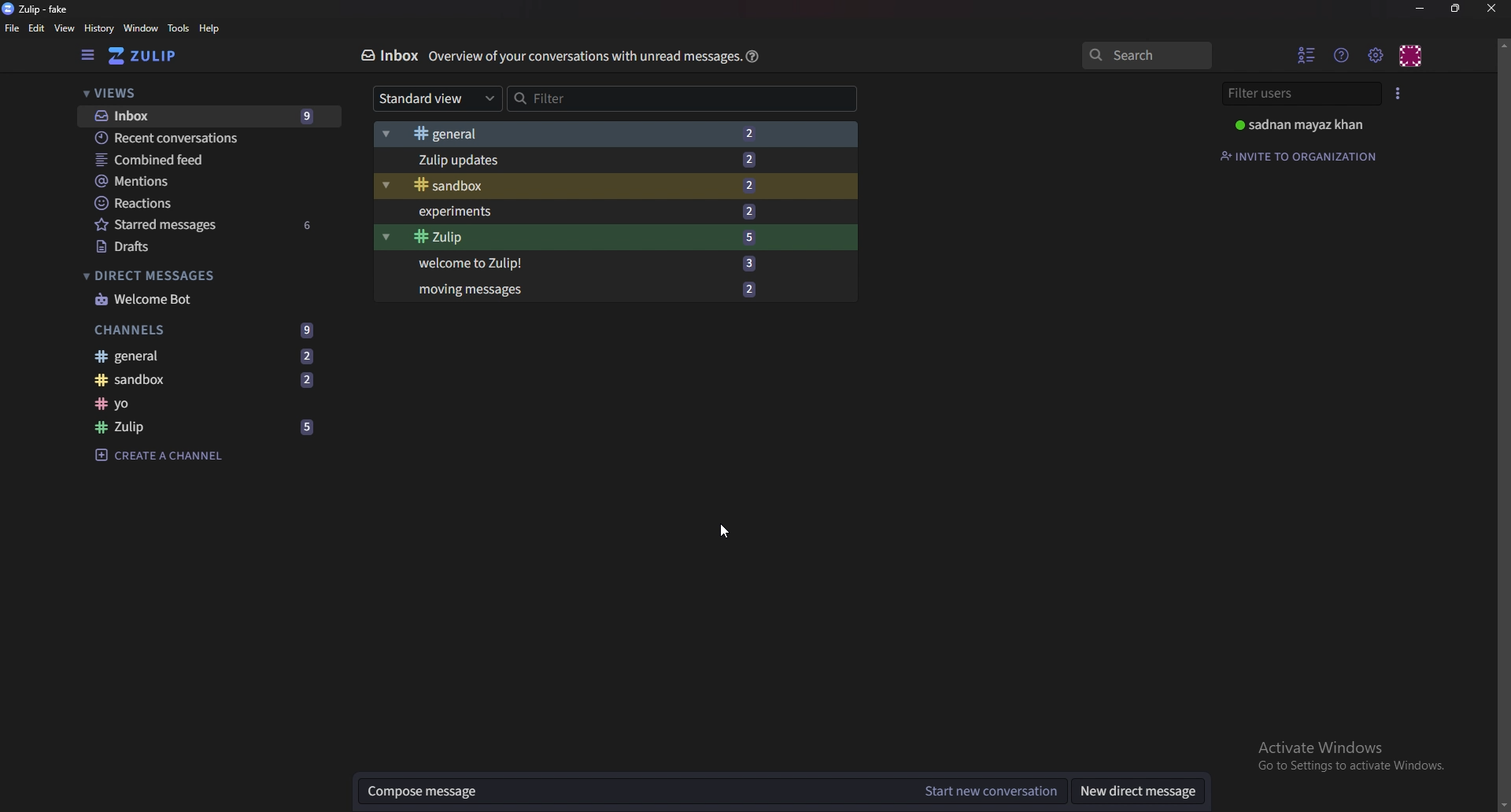 The height and width of the screenshot is (812, 1511). What do you see at coordinates (205, 380) in the screenshot?
I see `Sandbox` at bounding box center [205, 380].